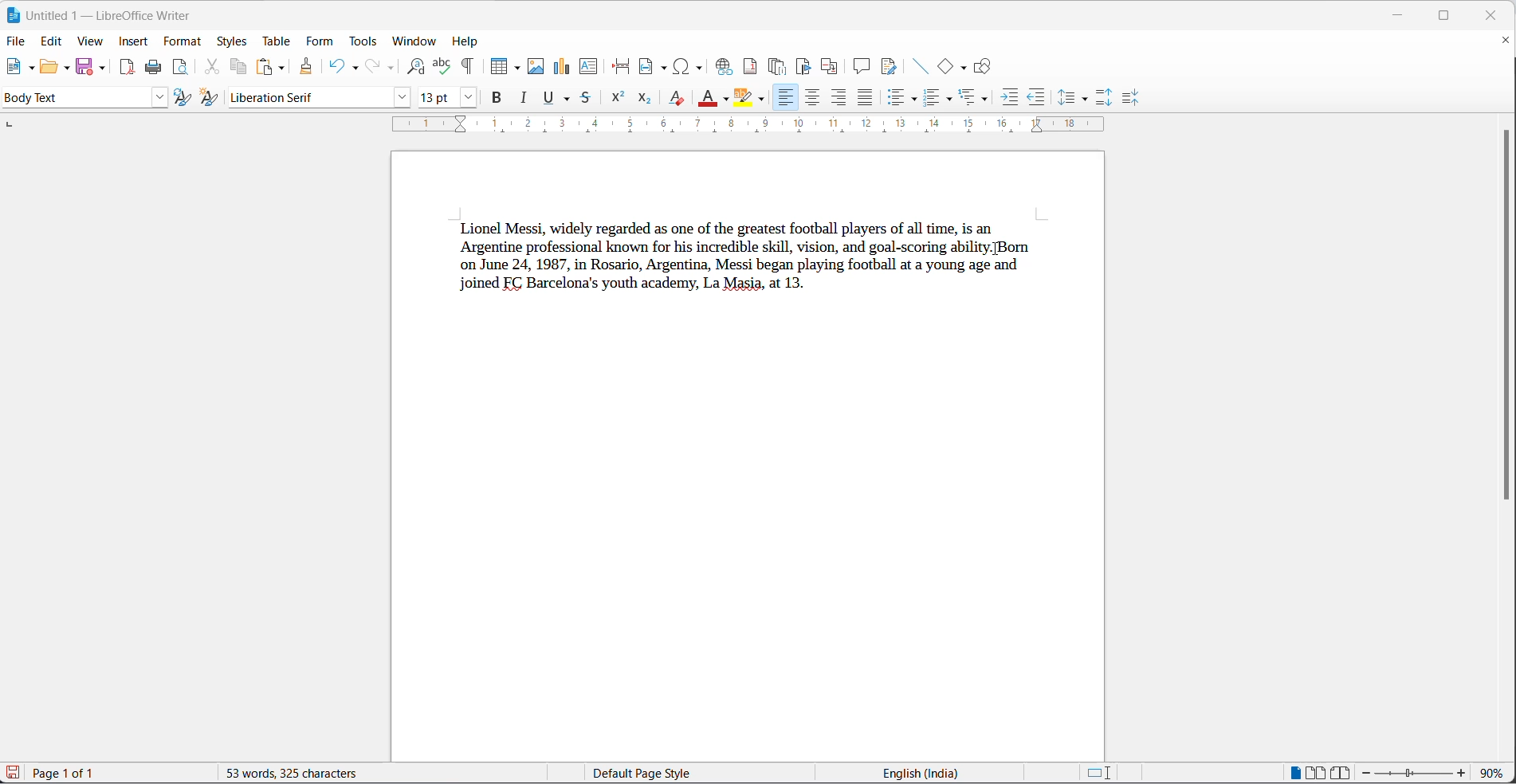  Describe the element at coordinates (568, 99) in the screenshot. I see `underline` at that location.